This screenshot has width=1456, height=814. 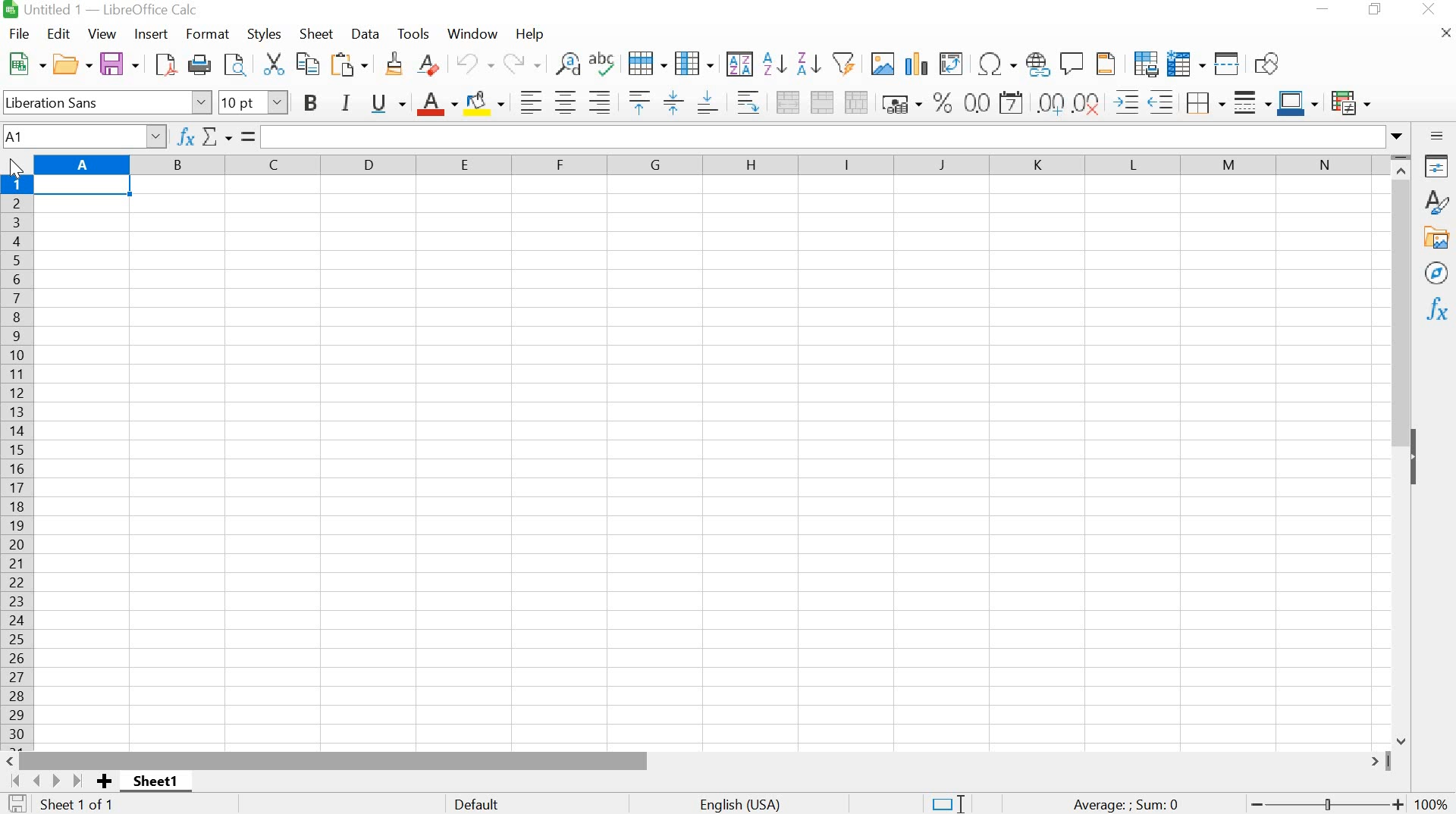 I want to click on Format as Percent, so click(x=941, y=102).